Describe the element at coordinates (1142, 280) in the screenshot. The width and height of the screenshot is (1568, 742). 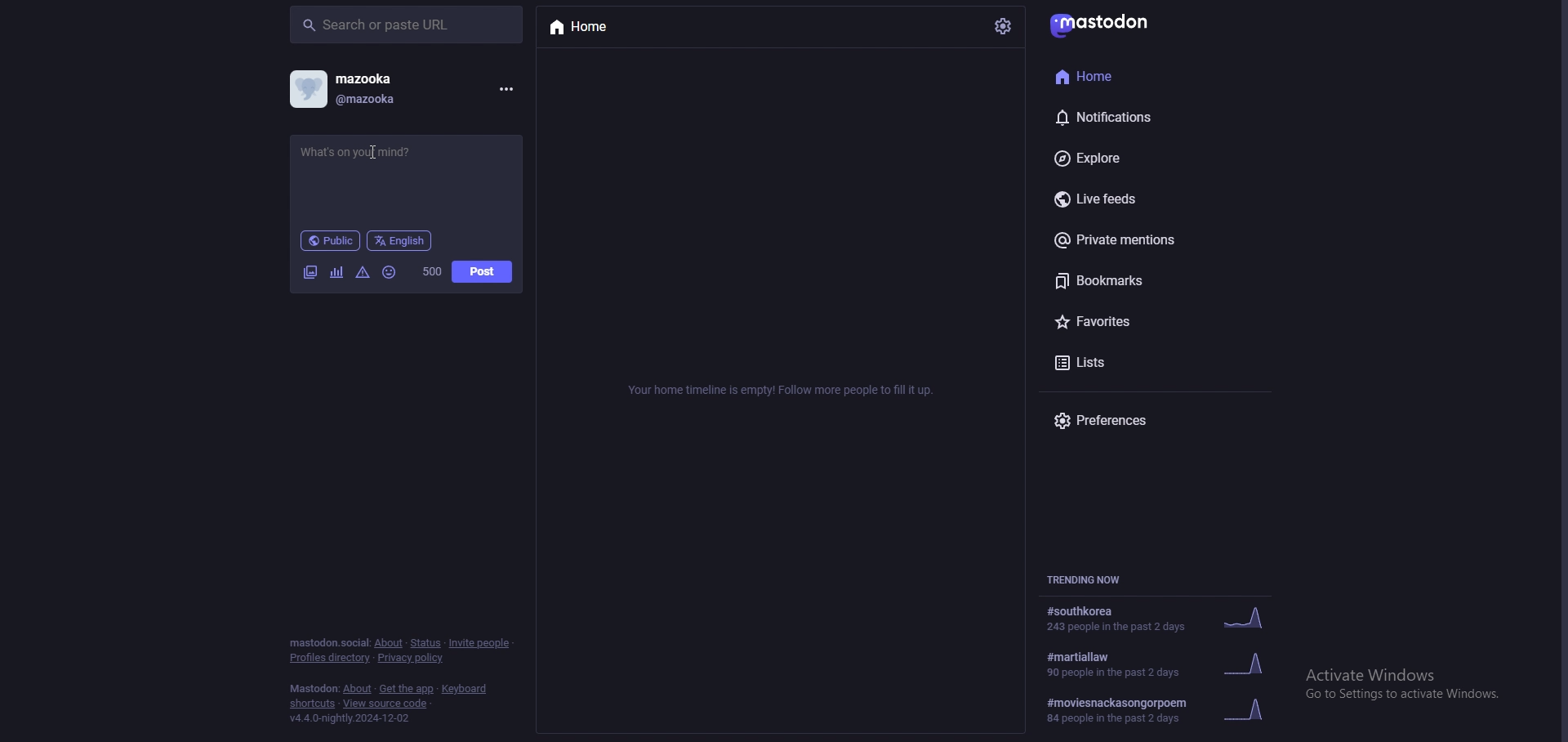
I see `bookmarks` at that location.